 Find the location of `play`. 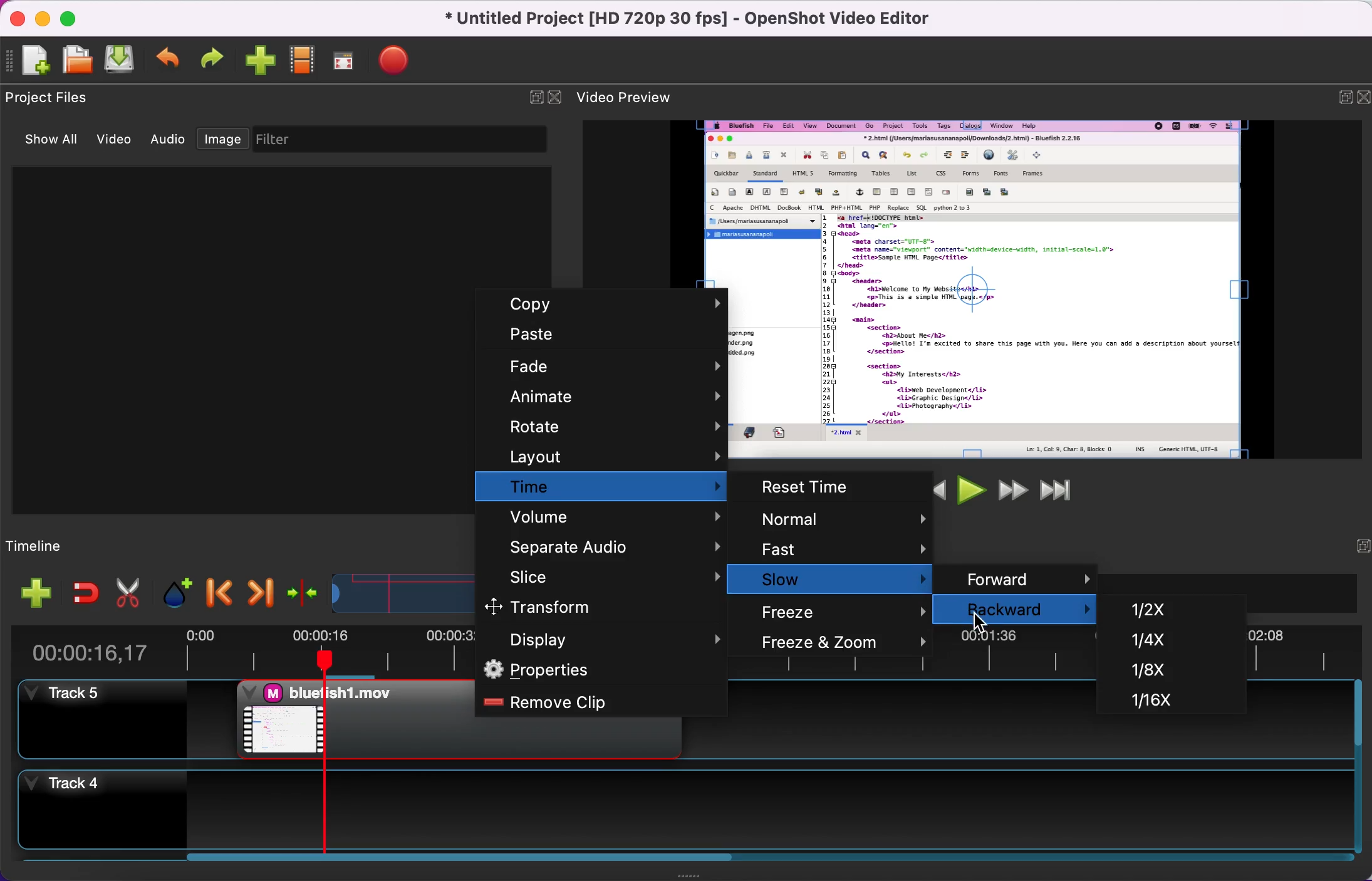

play is located at coordinates (969, 489).